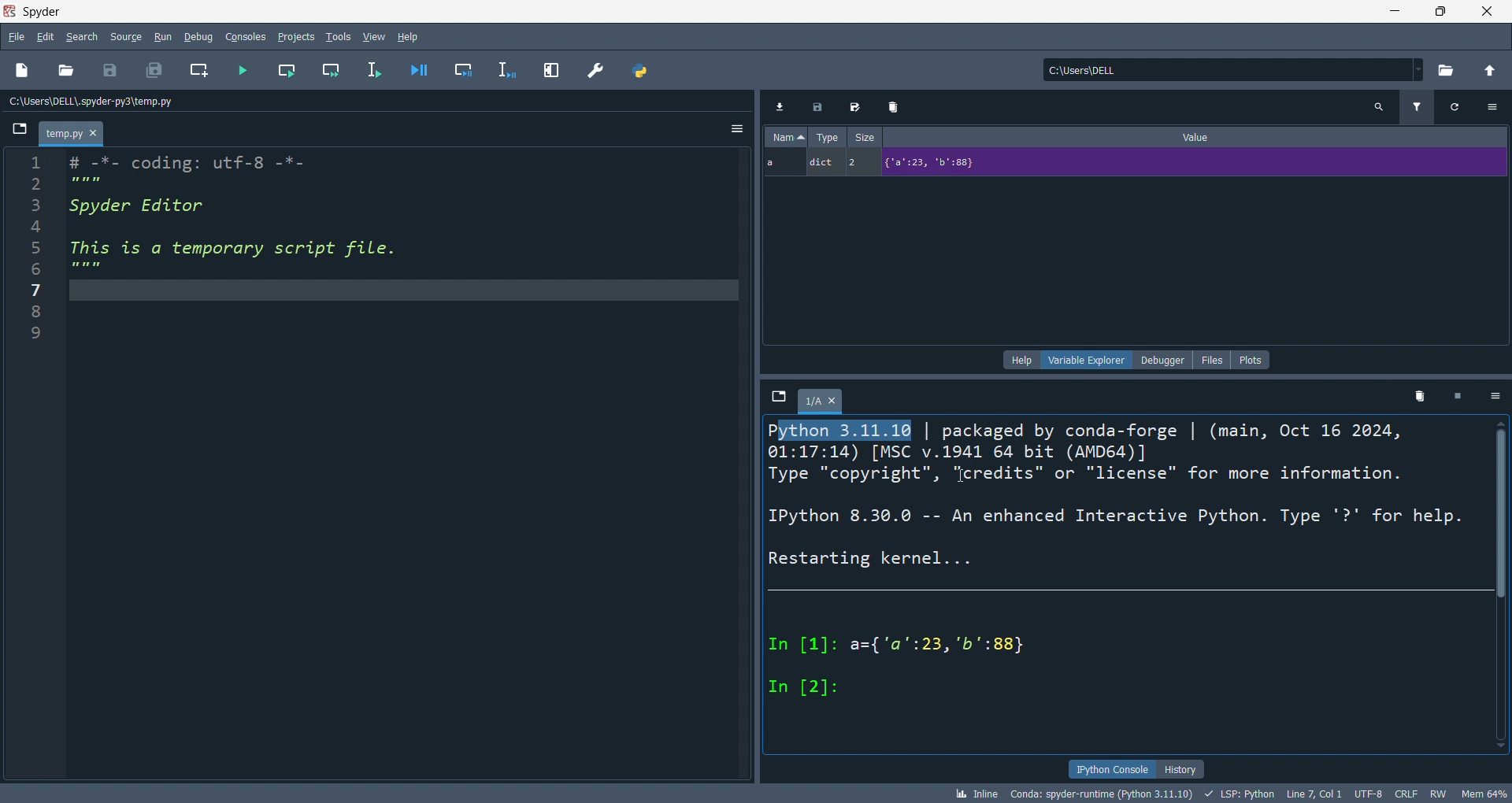 The image size is (1512, 803). I want to click on value, so click(1199, 135).